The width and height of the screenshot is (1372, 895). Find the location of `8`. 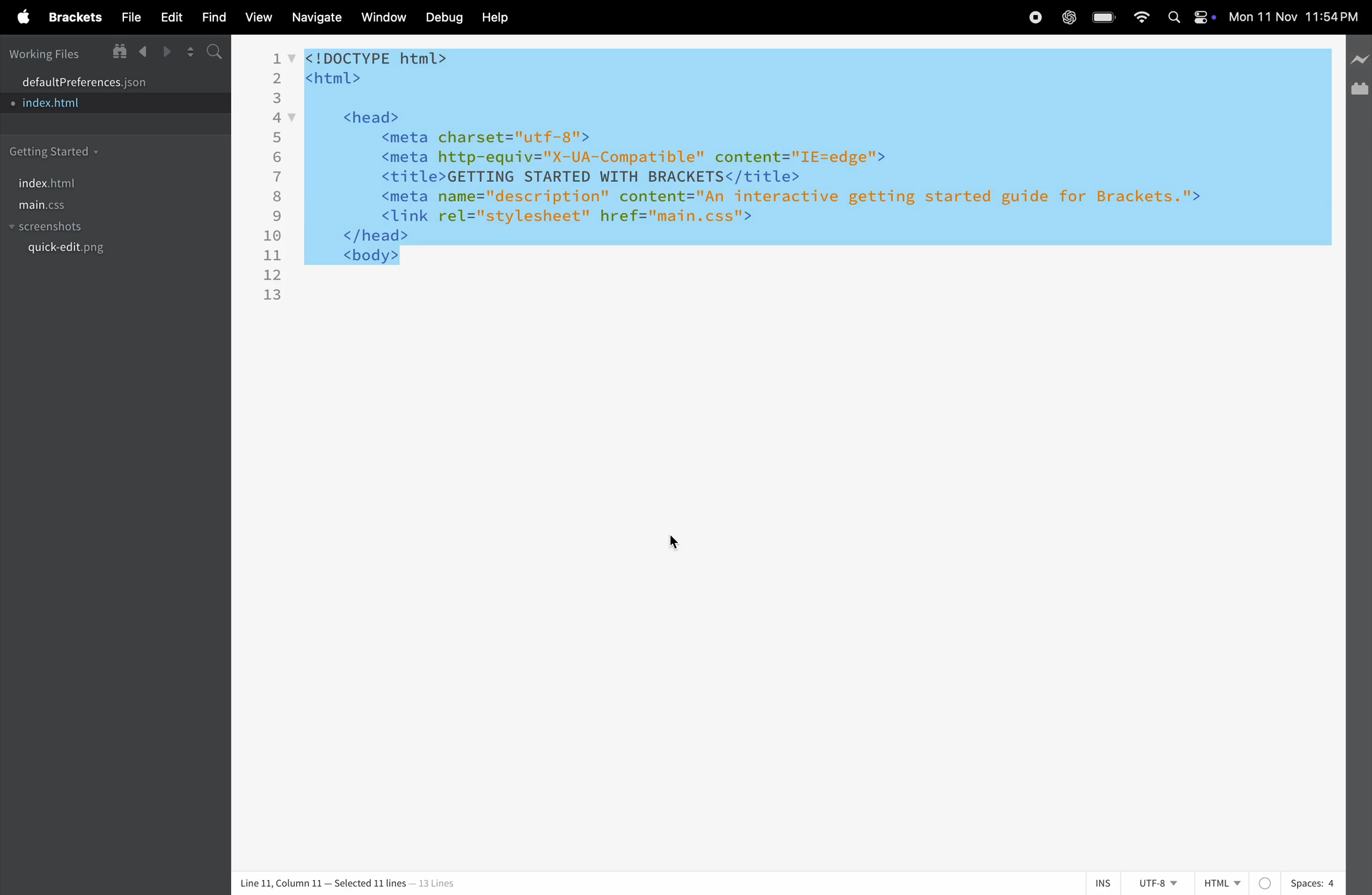

8 is located at coordinates (278, 197).